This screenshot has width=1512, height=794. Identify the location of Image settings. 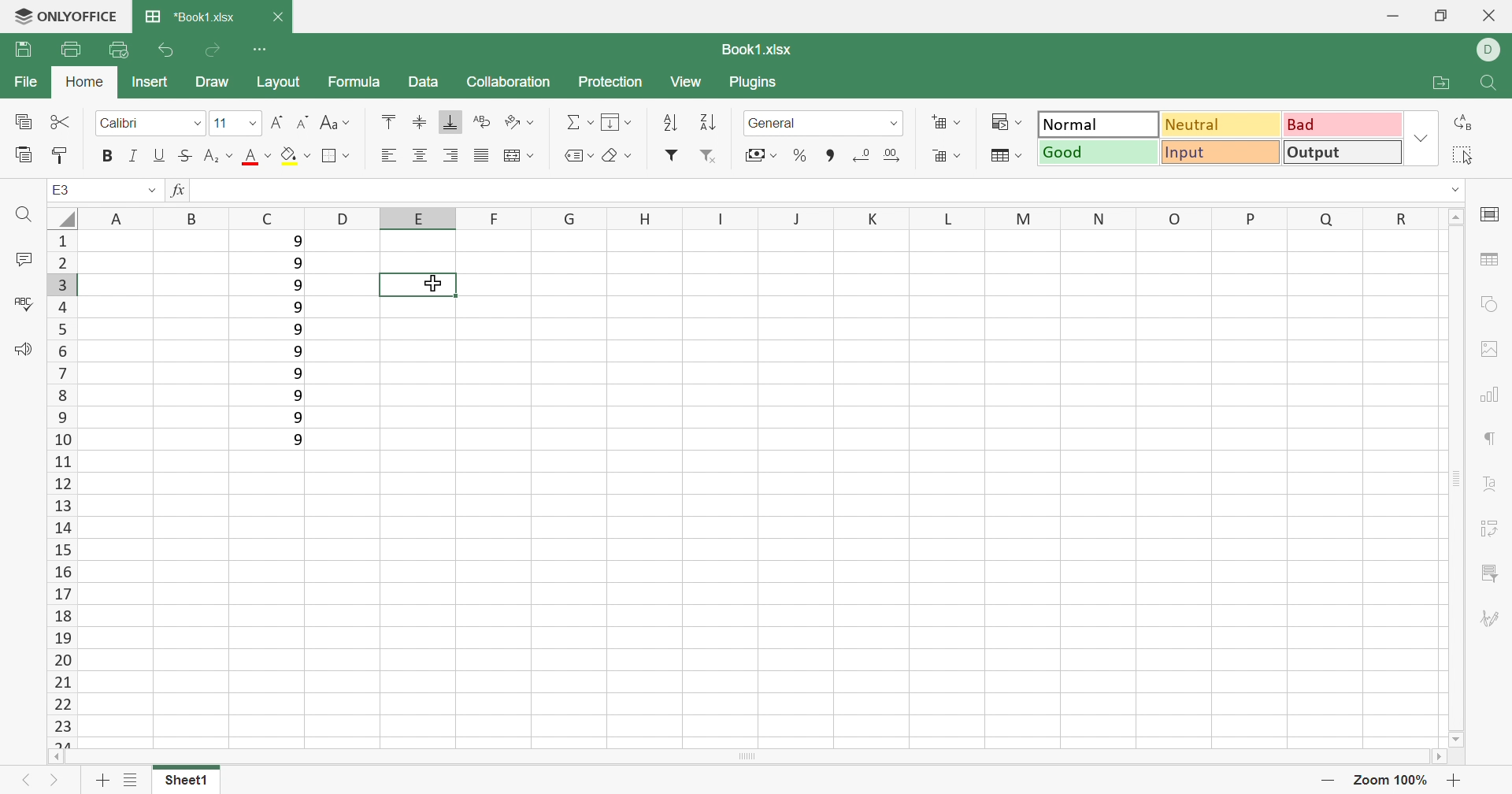
(1489, 350).